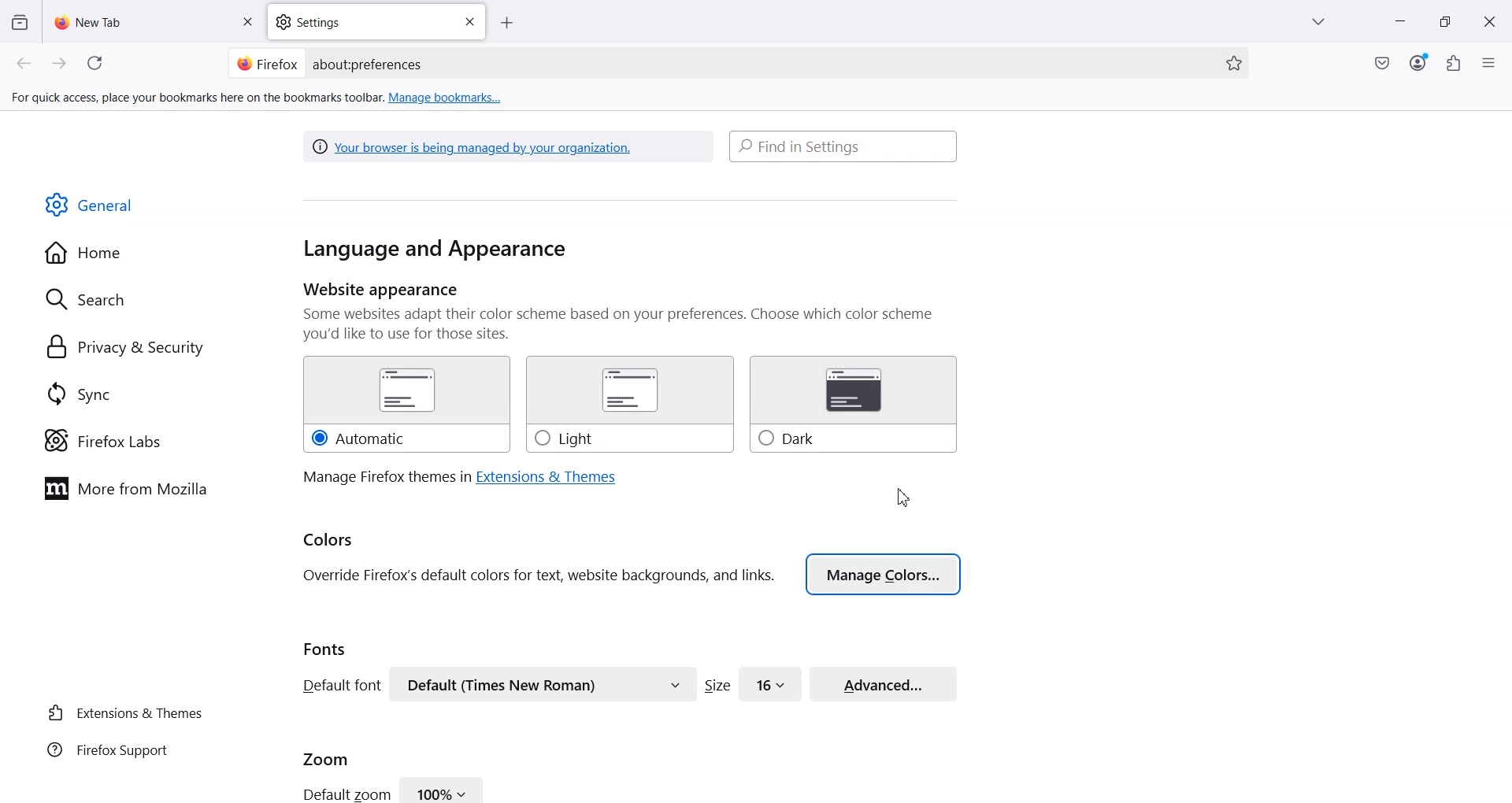  Describe the element at coordinates (258, 98) in the screenshot. I see `For quick access, place your bookmarks here on the bookmarks toolbar. Manage bookmarks...` at that location.